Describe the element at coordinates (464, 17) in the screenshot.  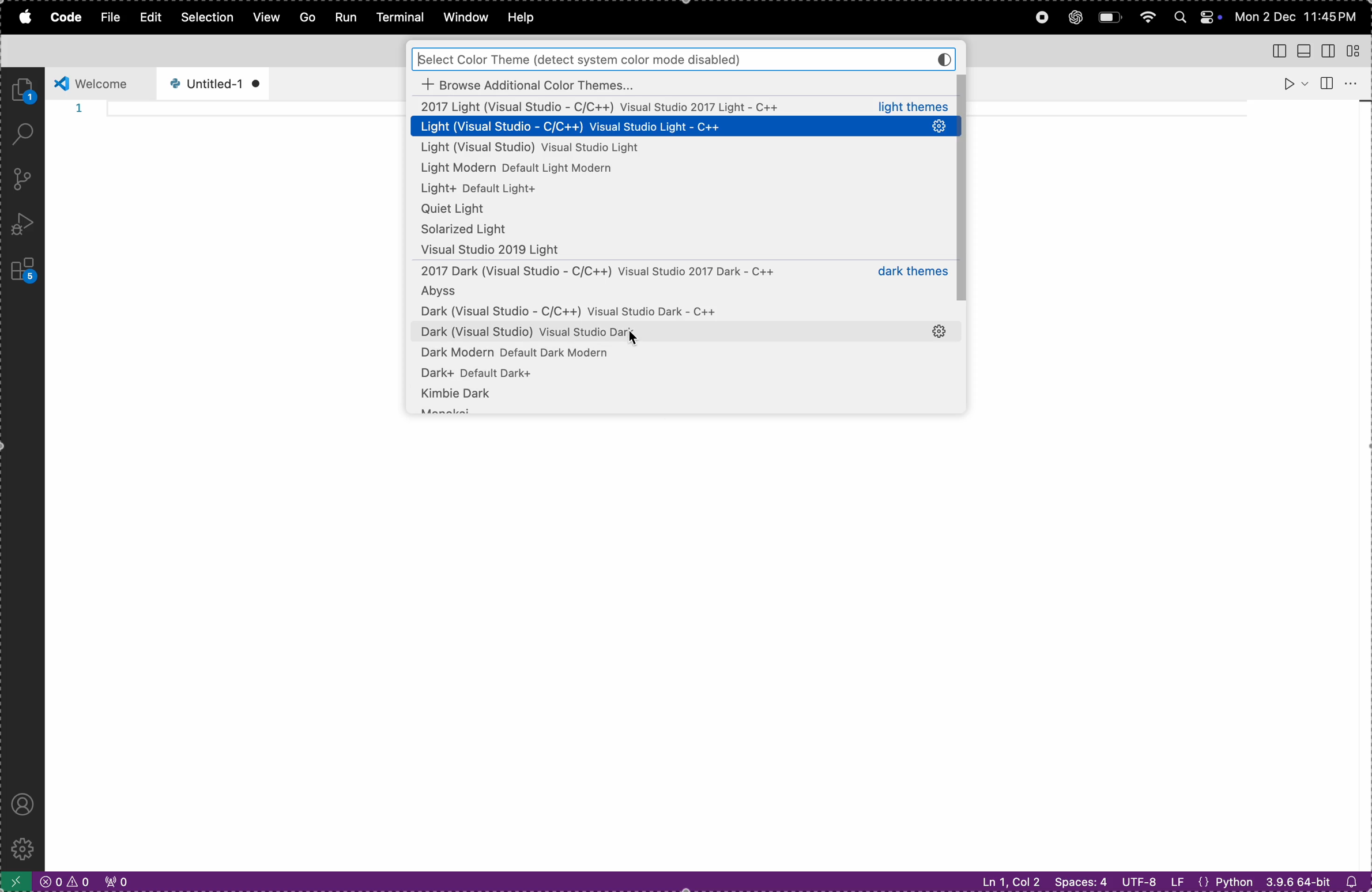
I see `window` at that location.